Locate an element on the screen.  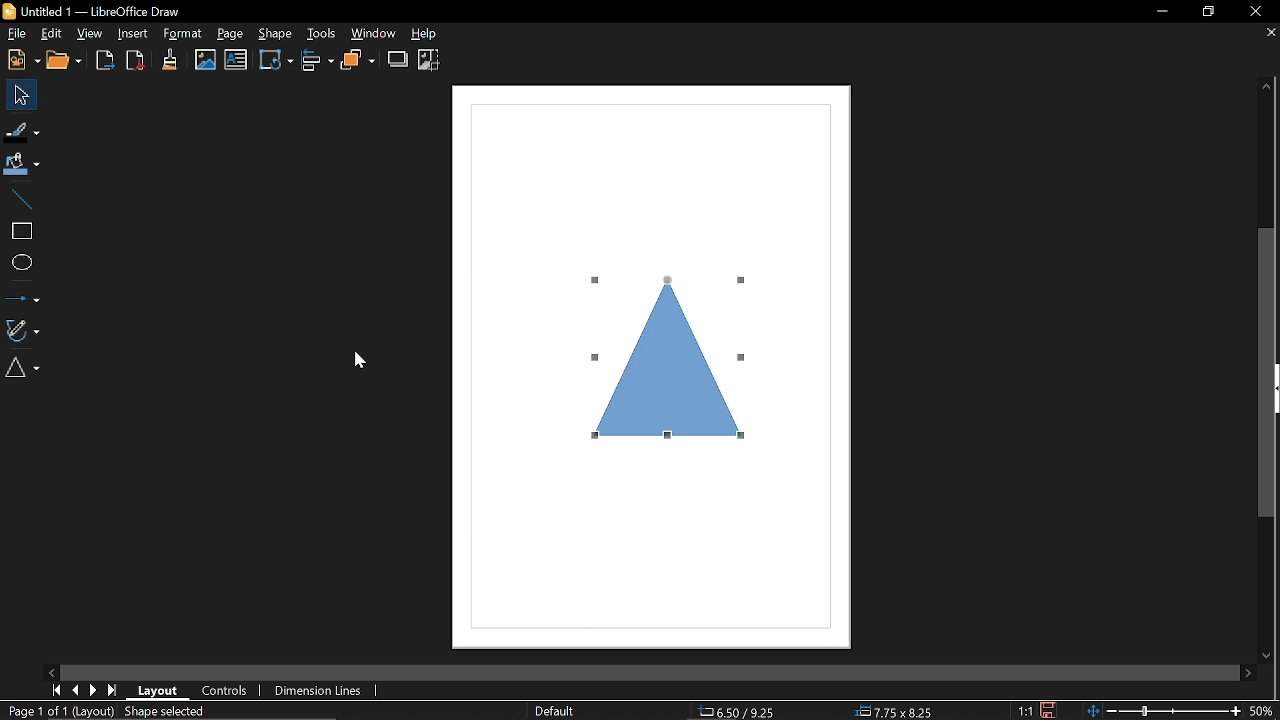
Fill color is located at coordinates (22, 165).